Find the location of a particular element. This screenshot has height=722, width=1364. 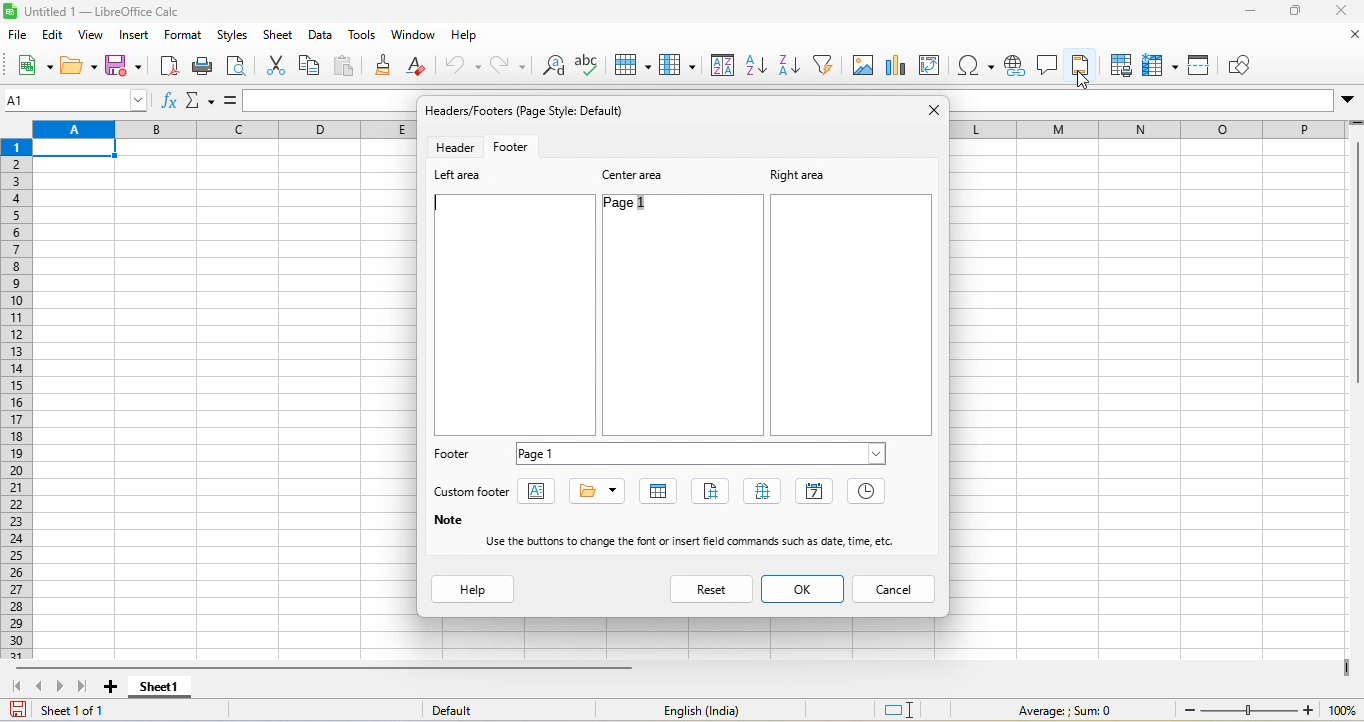

add sheet is located at coordinates (110, 685).